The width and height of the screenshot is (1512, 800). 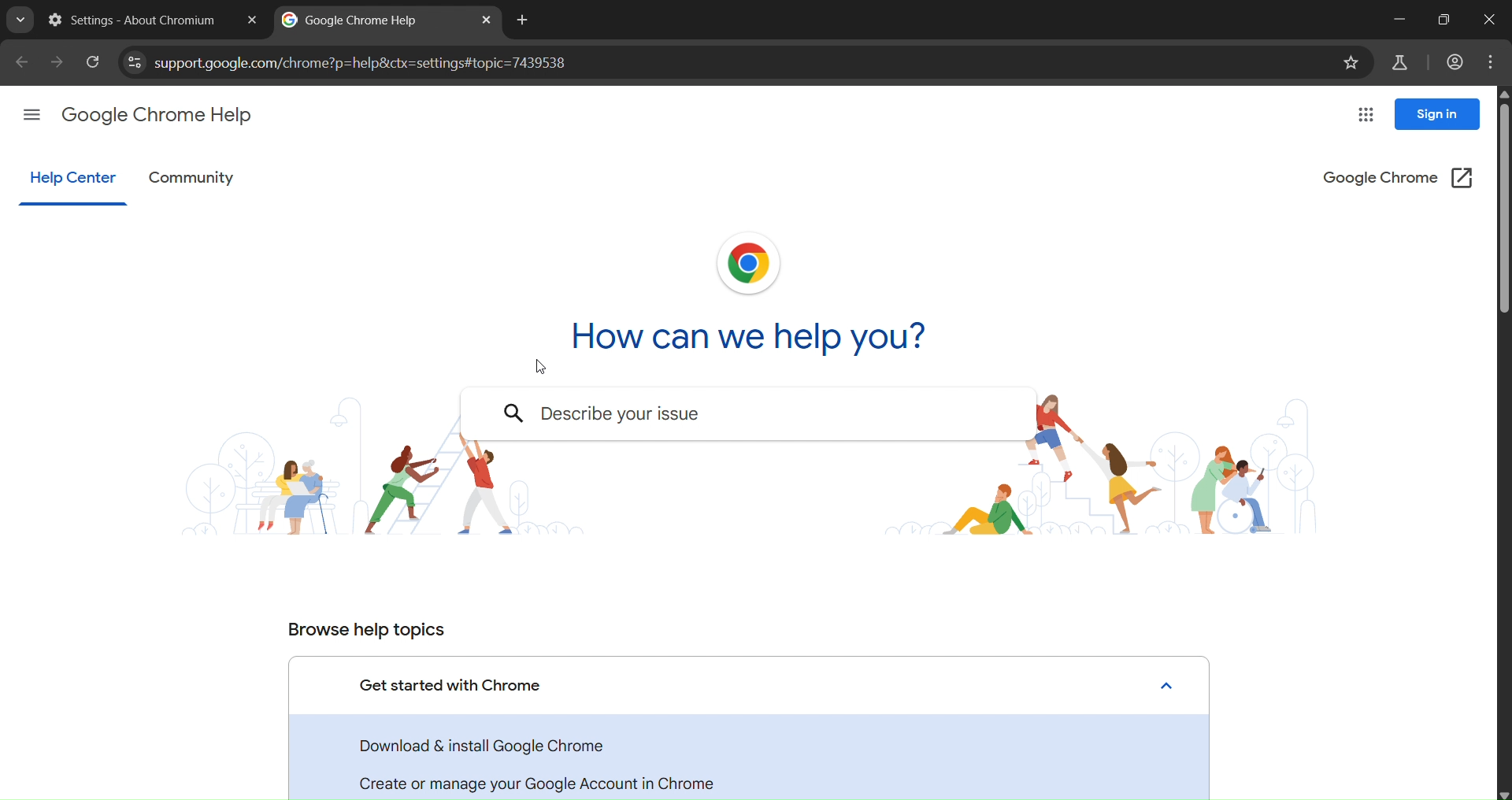 I want to click on describe your issue, so click(x=643, y=414).